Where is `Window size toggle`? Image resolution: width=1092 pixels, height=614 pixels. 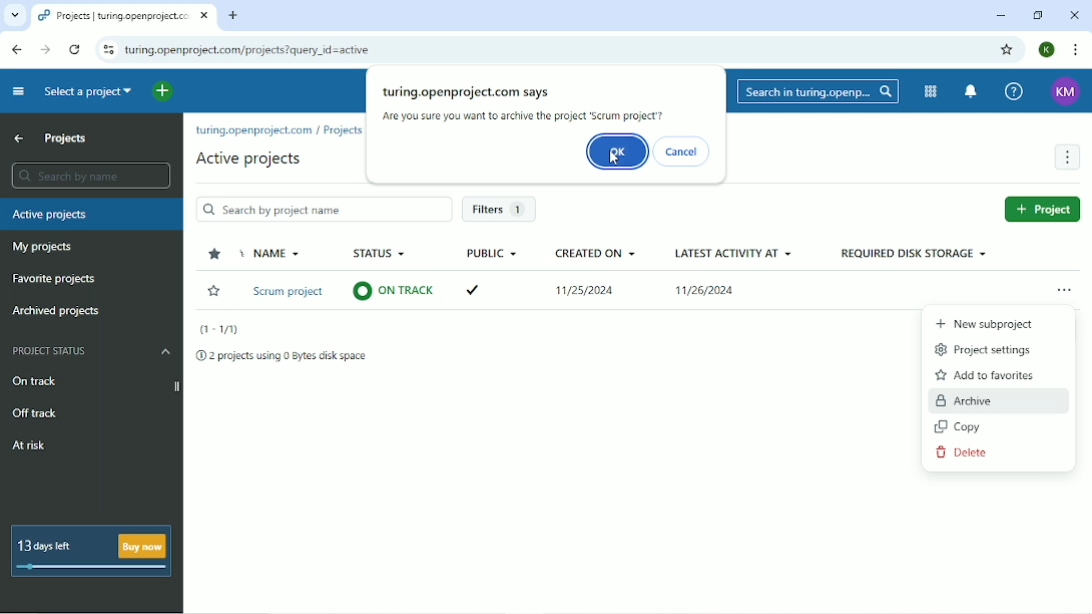 Window size toggle is located at coordinates (1038, 15).